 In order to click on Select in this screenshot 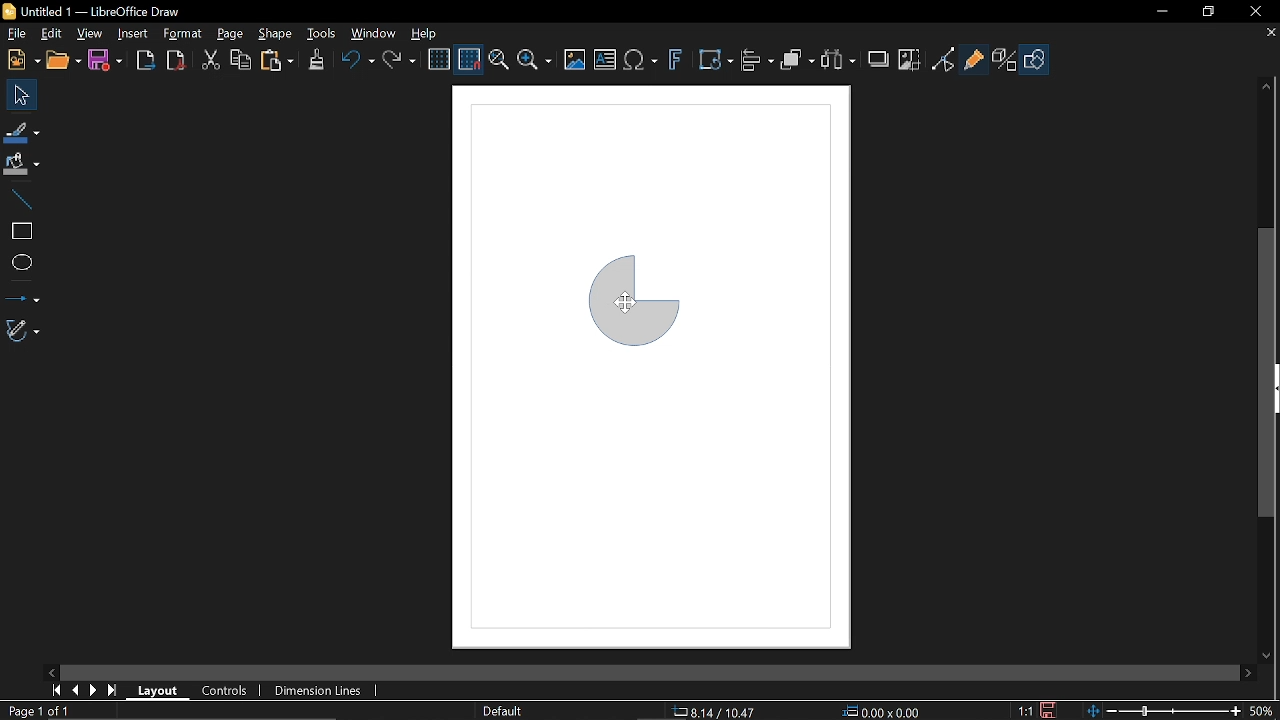, I will do `click(22, 96)`.